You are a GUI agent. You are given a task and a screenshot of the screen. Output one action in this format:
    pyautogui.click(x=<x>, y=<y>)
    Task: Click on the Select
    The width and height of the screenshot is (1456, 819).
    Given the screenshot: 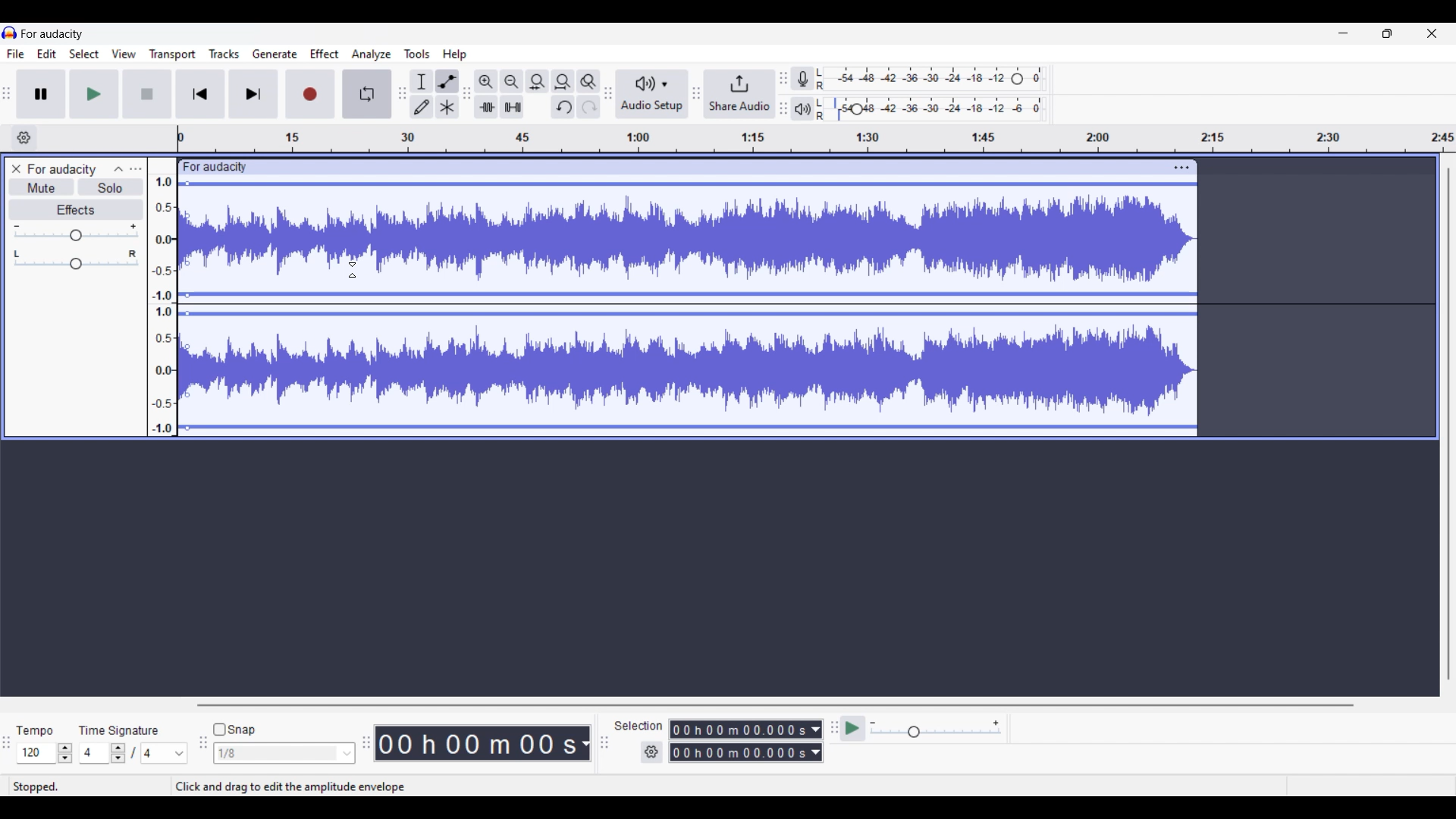 What is the action you would take?
    pyautogui.click(x=84, y=54)
    